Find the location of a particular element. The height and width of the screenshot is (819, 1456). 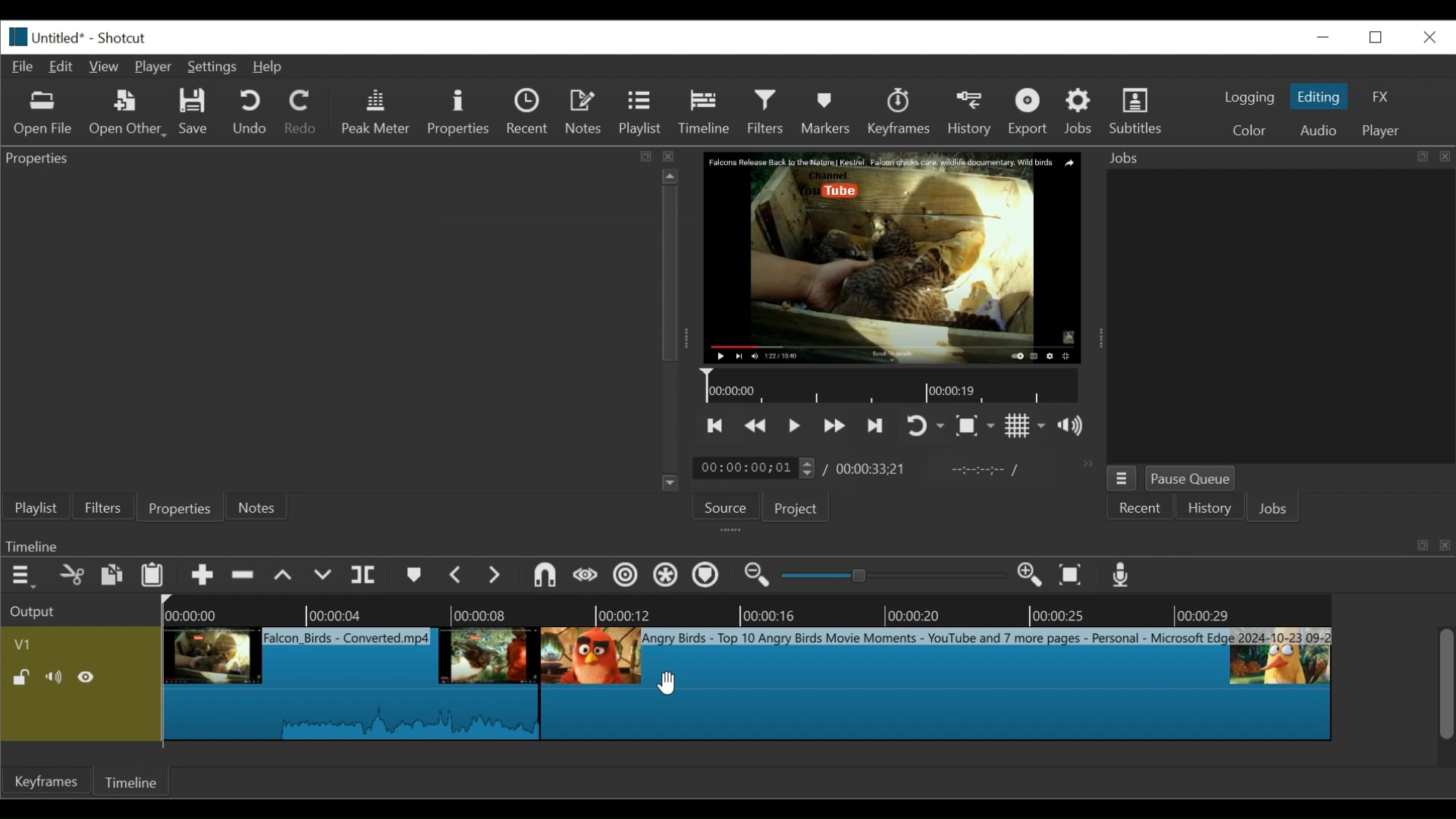

Play quickly backward is located at coordinates (758, 425).